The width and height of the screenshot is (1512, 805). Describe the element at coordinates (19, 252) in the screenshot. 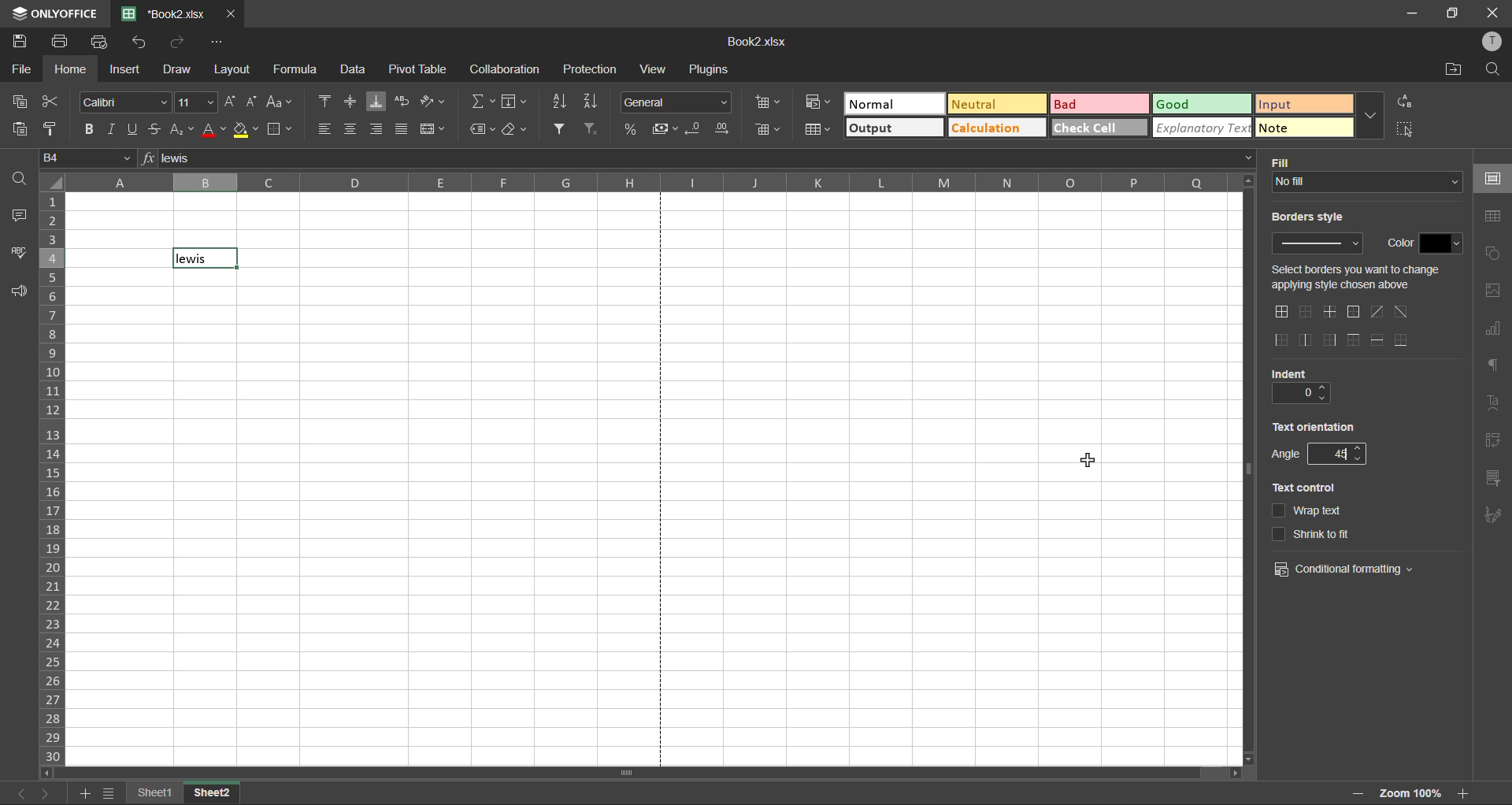

I see `spellcheck` at that location.